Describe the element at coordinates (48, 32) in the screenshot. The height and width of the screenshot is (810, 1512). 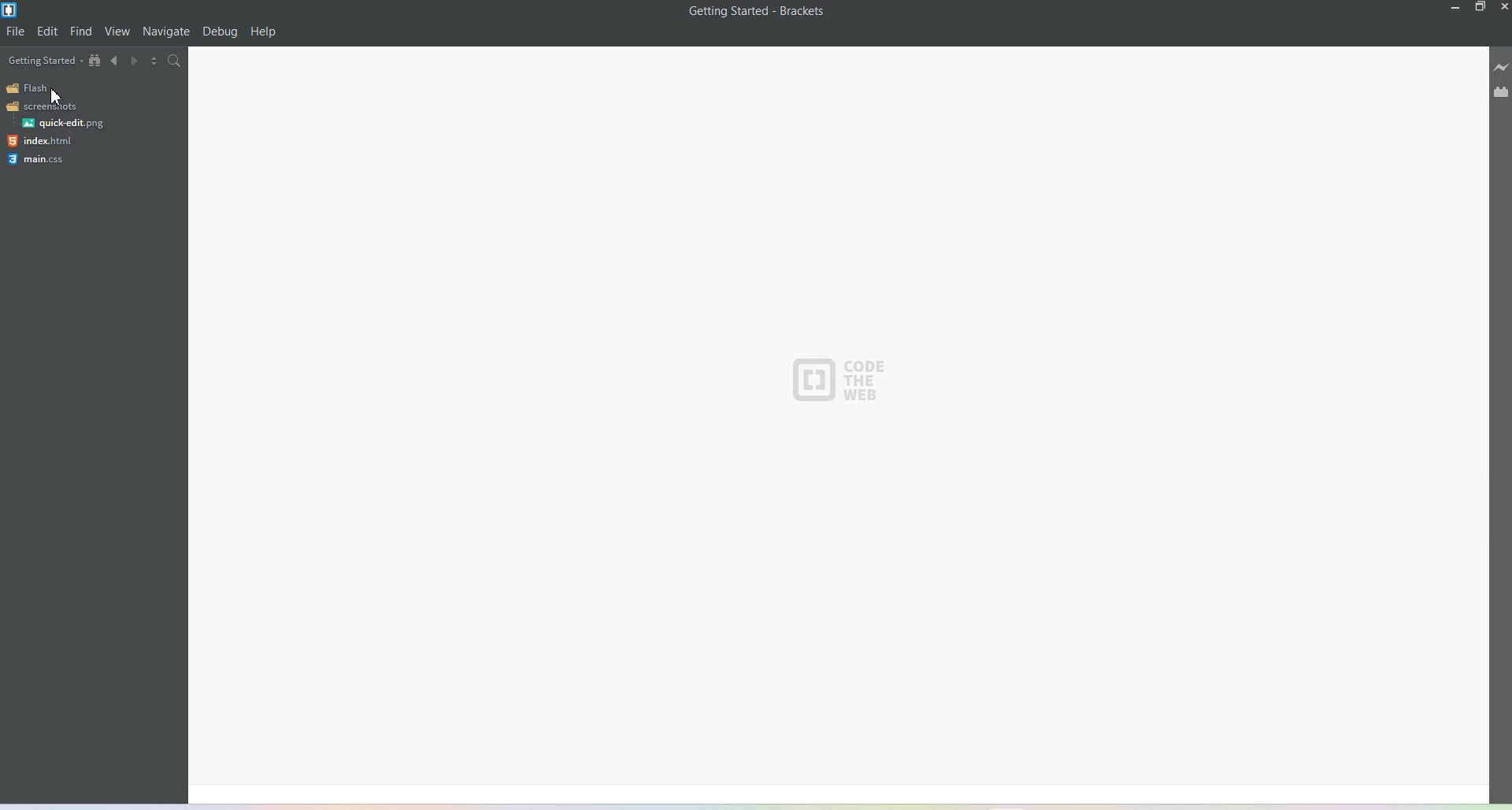
I see `Edit` at that location.